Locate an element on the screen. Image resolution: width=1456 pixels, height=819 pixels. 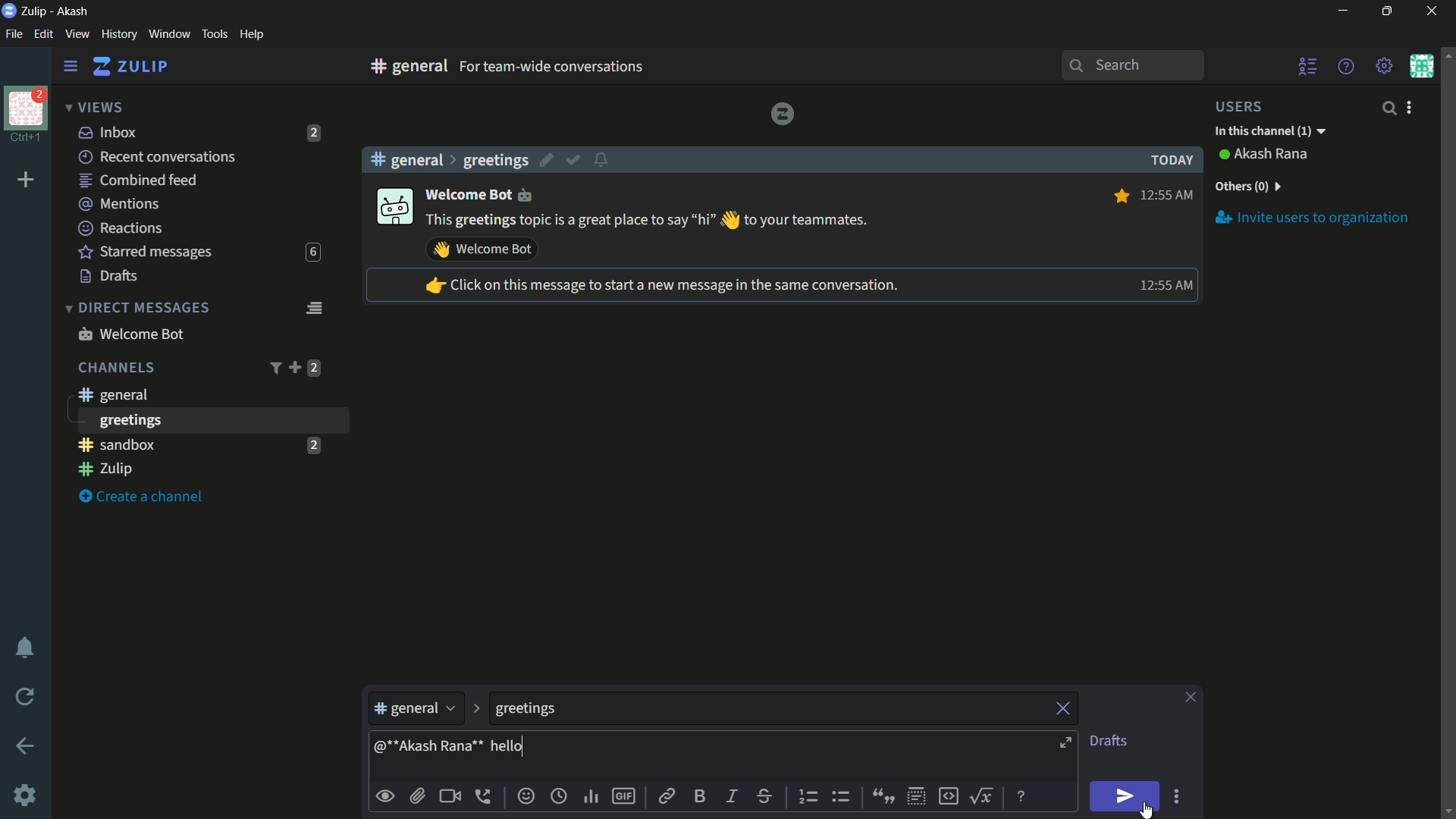
 is located at coordinates (386, 796).